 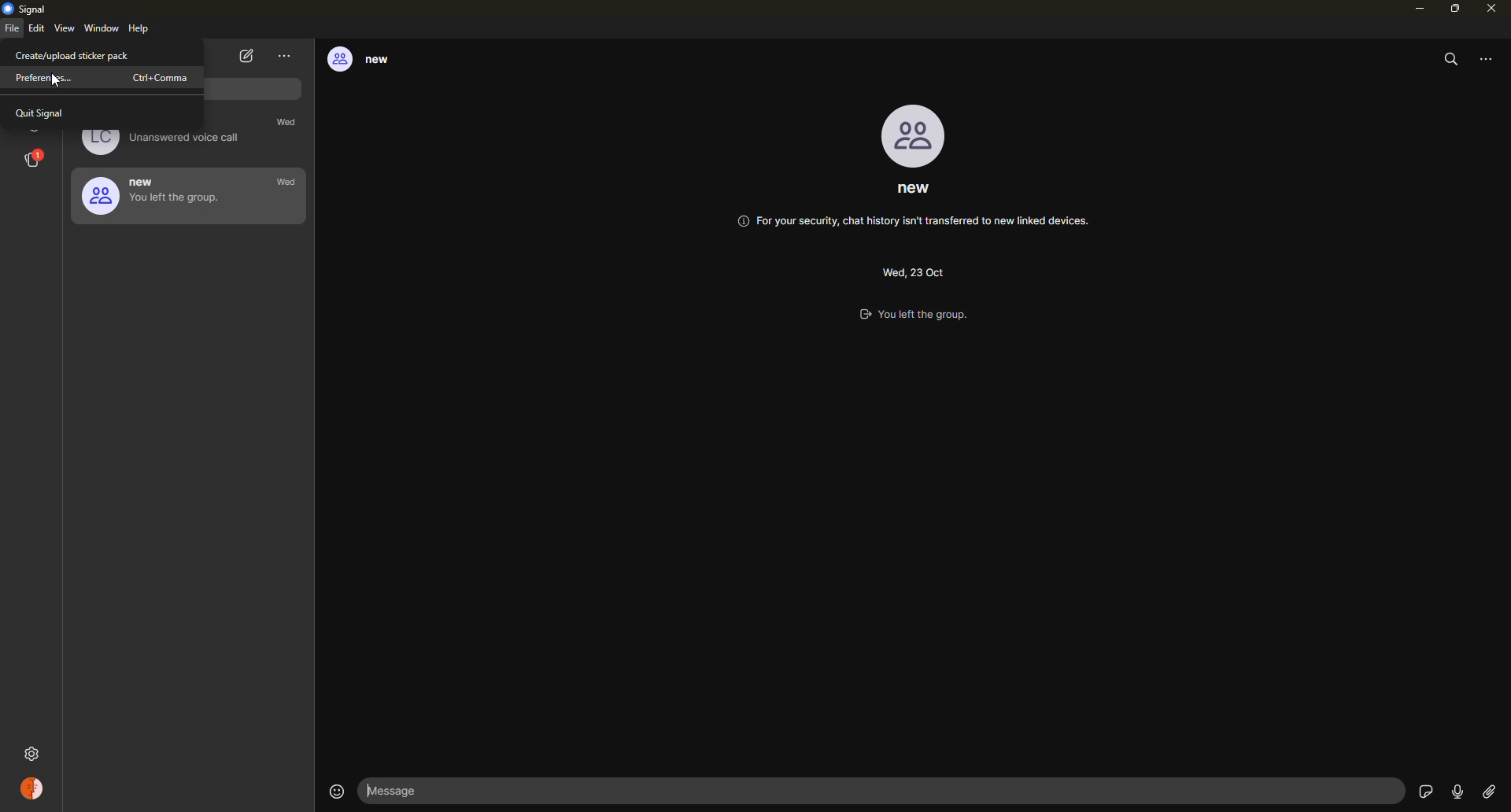 I want to click on new, so click(x=914, y=192).